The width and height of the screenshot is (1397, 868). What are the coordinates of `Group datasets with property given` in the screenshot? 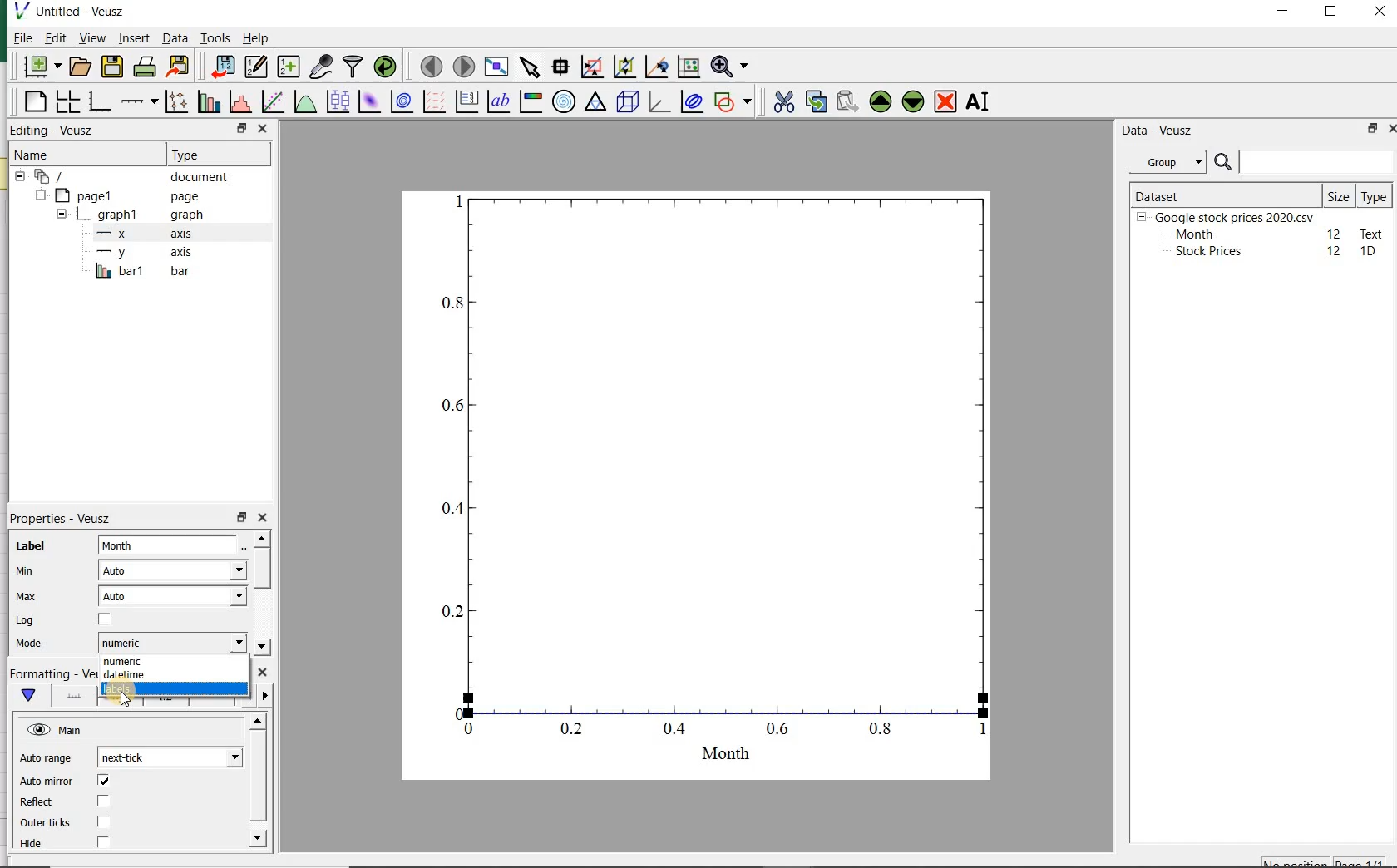 It's located at (1163, 162).